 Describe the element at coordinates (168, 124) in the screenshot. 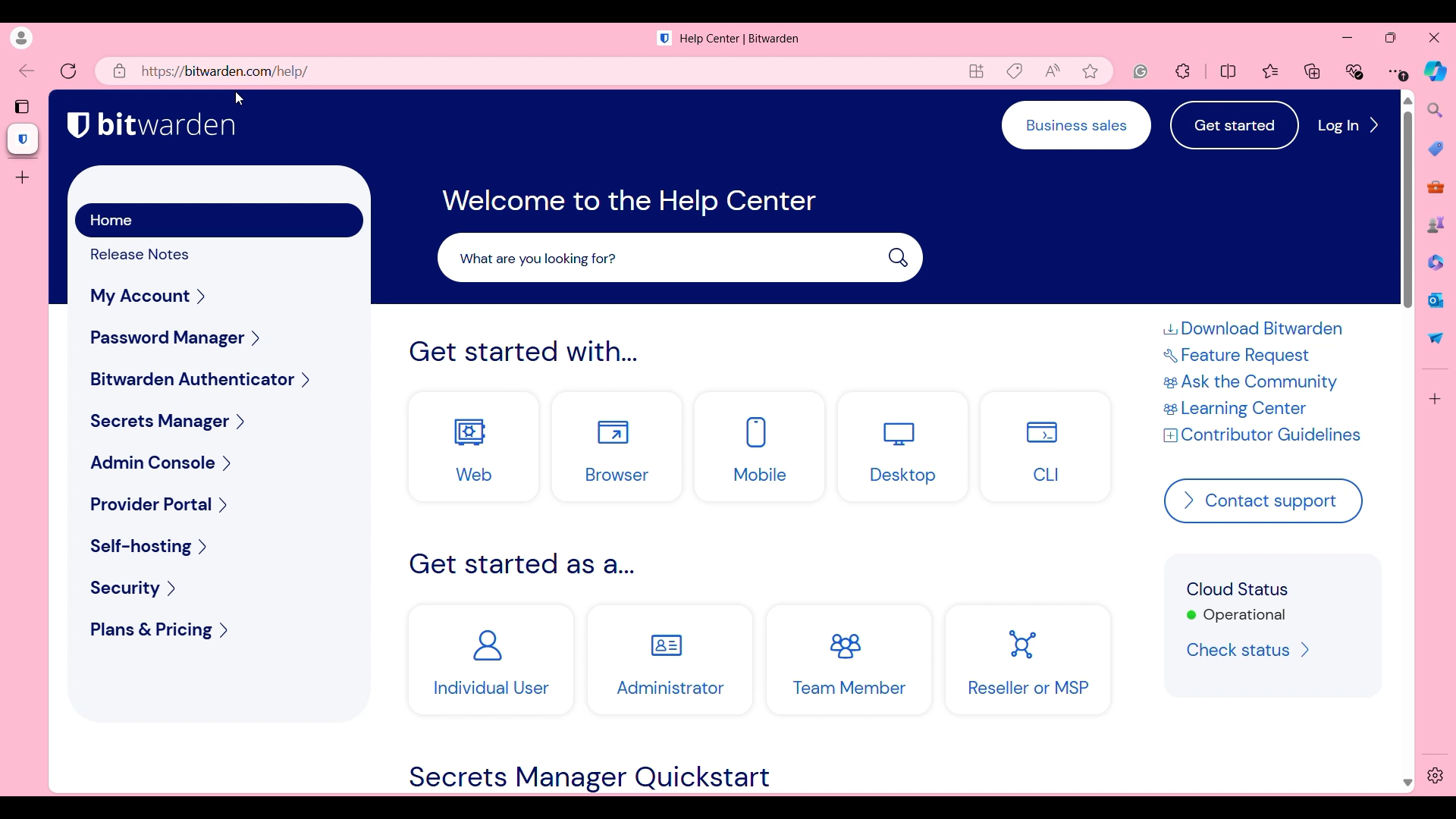

I see `bitwarden` at that location.